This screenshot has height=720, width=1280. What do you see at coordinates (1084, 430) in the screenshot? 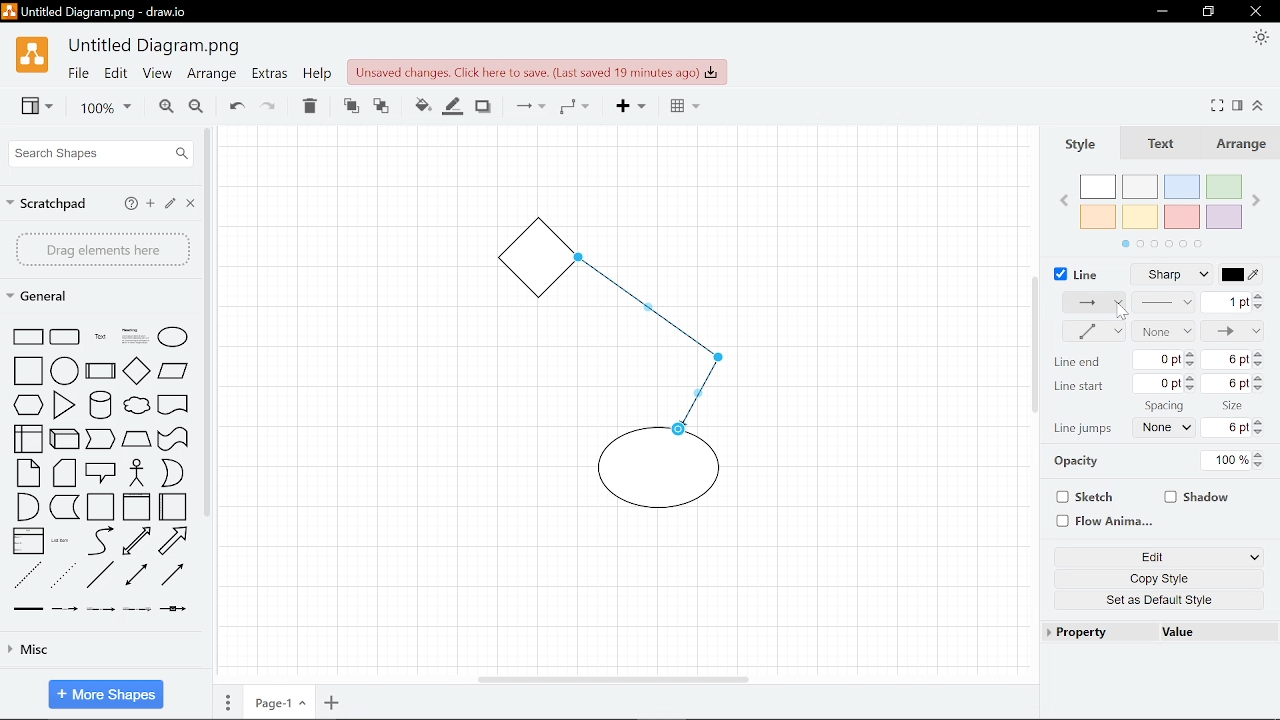
I see `Line jumps.` at bounding box center [1084, 430].